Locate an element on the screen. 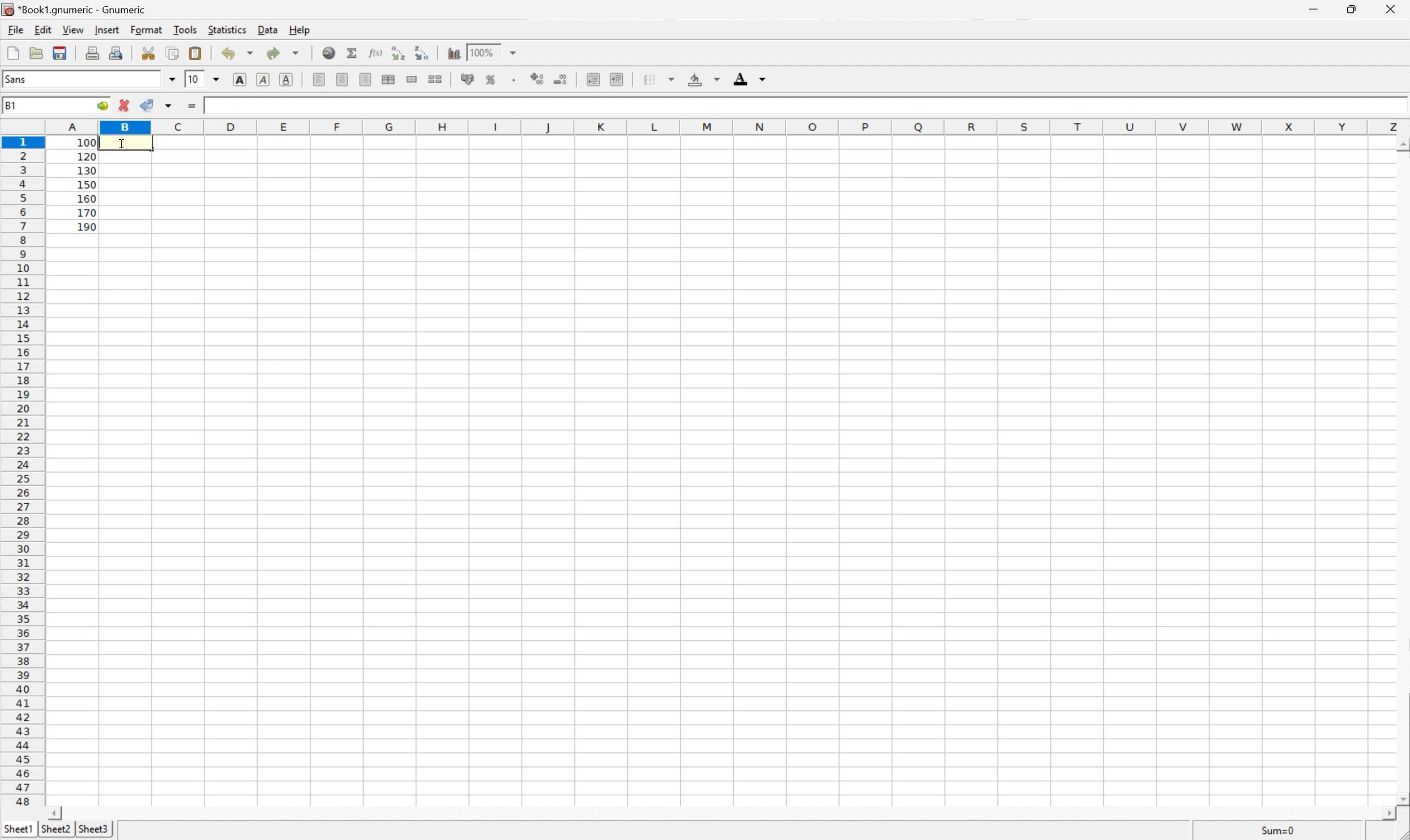  Decrease the number of decimals displayed is located at coordinates (562, 80).